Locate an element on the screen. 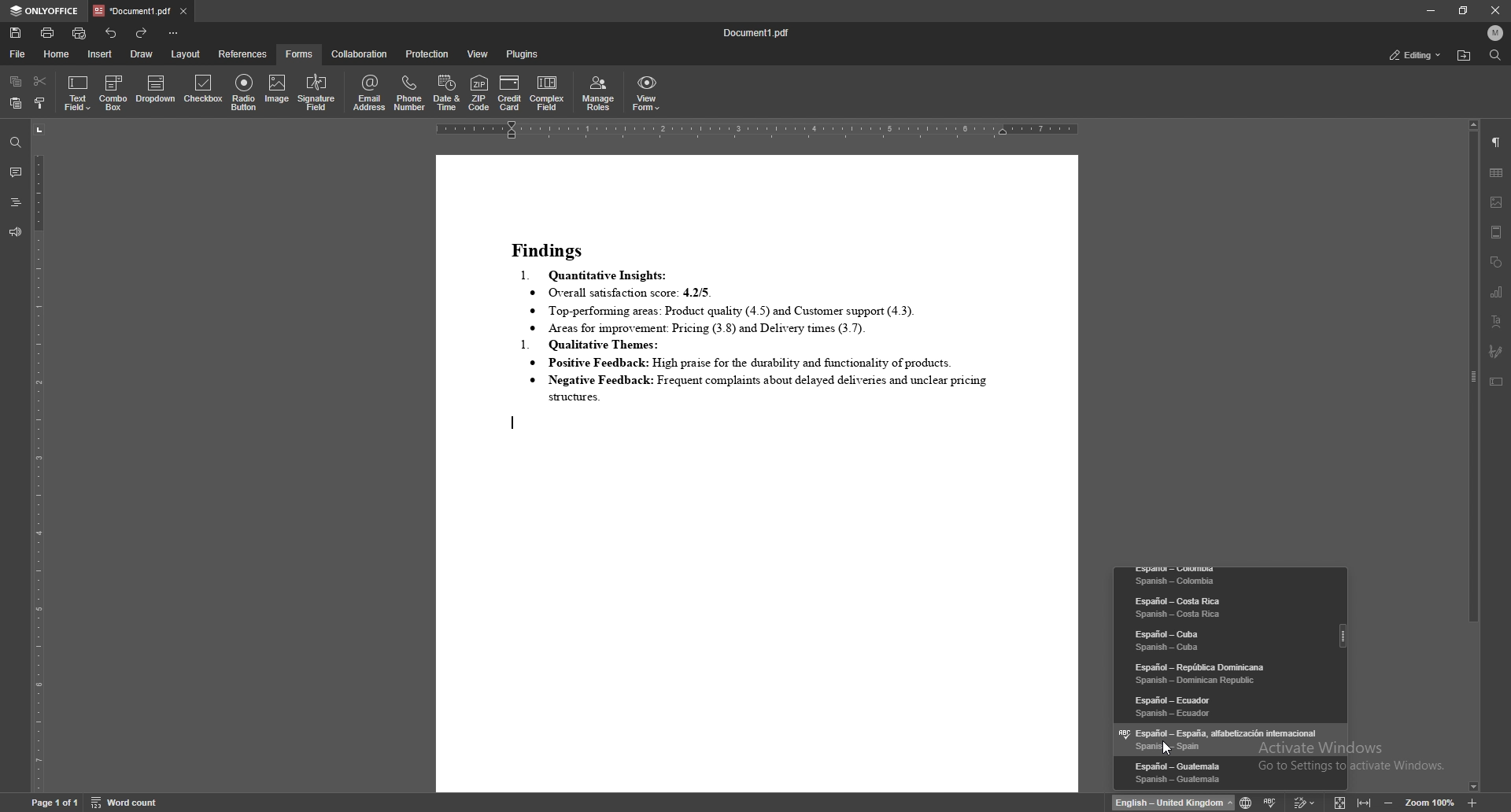  word count is located at coordinates (126, 803).